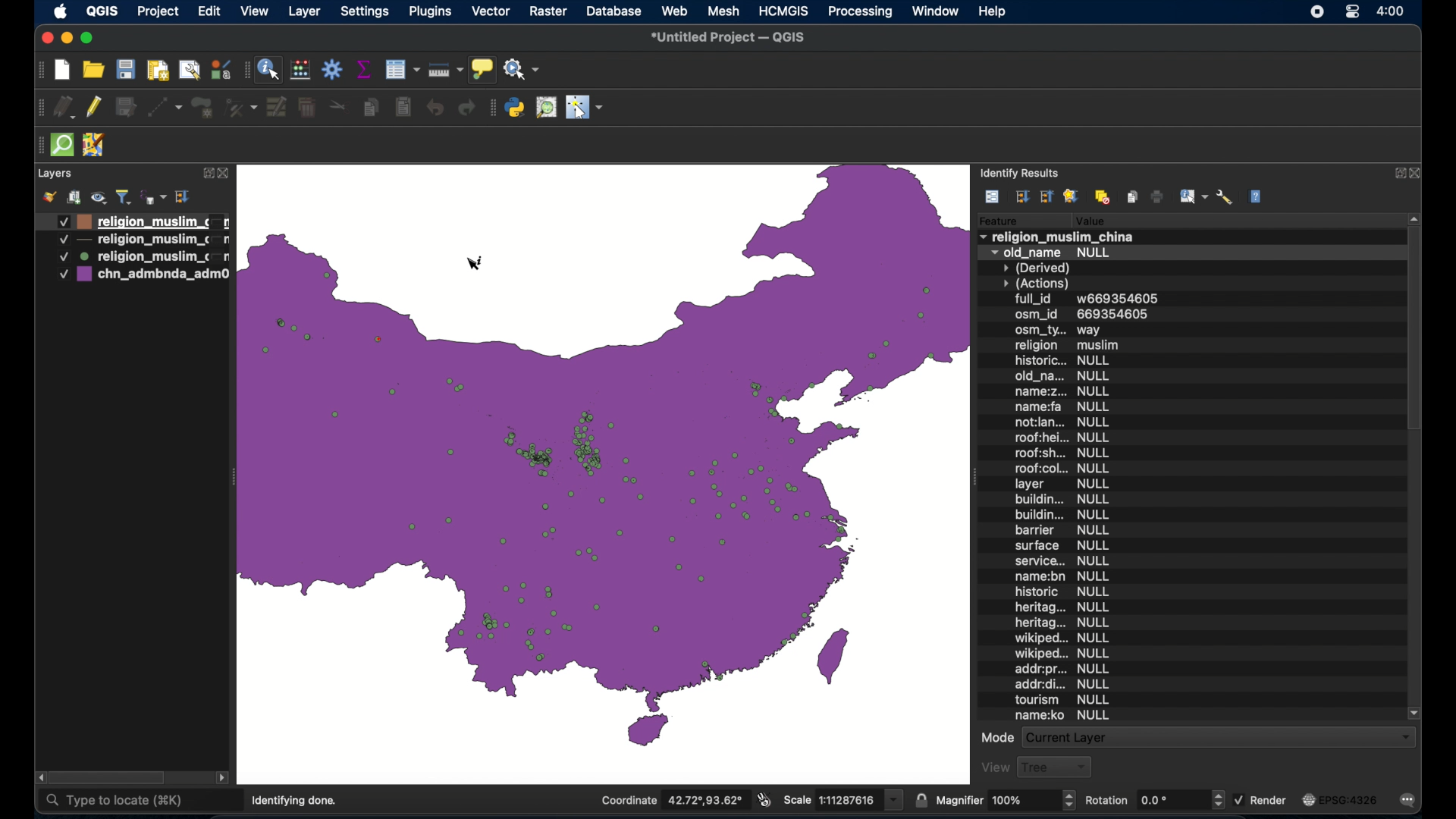  Describe the element at coordinates (475, 264) in the screenshot. I see `identify tool cursor` at that location.